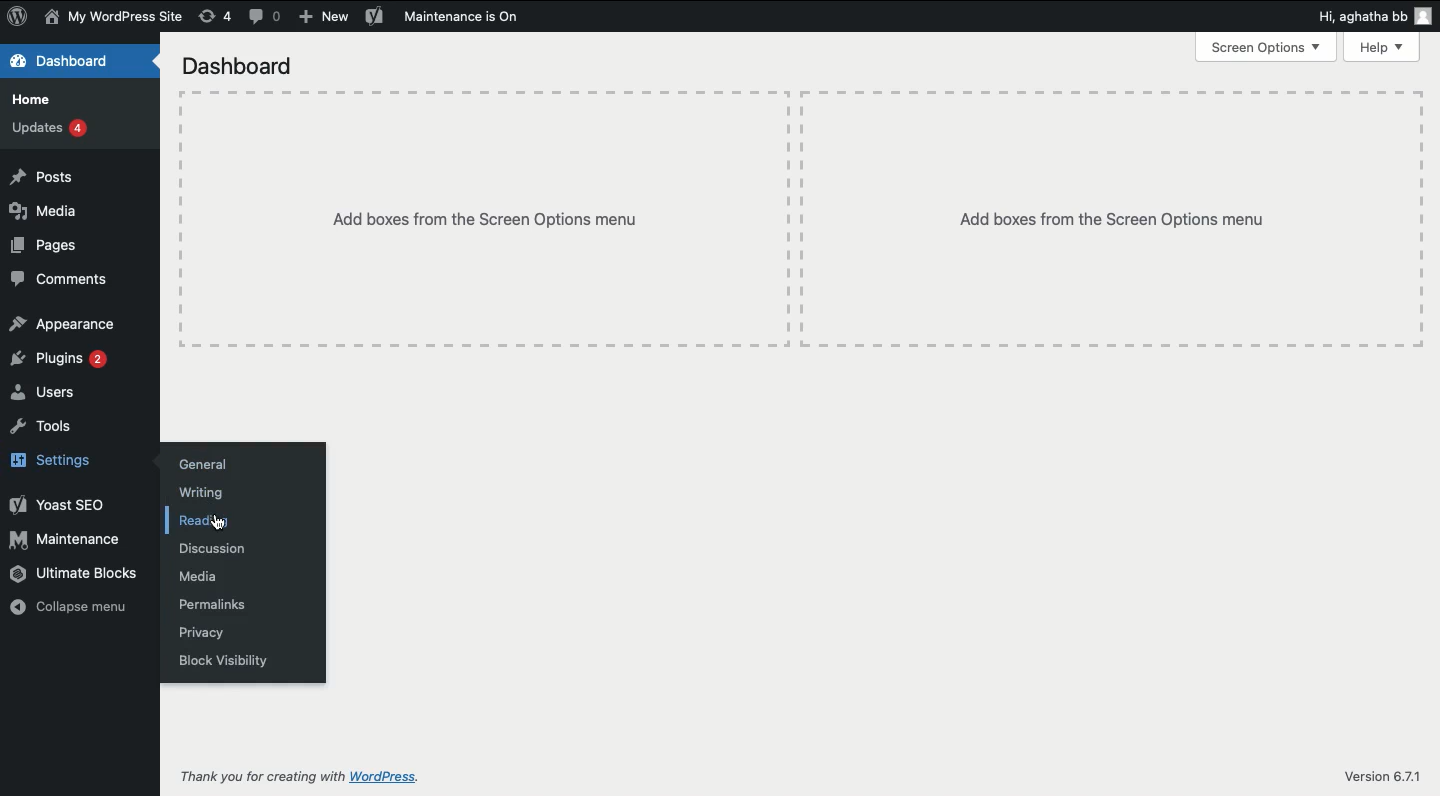 The width and height of the screenshot is (1440, 796). Describe the element at coordinates (33, 99) in the screenshot. I see `home` at that location.